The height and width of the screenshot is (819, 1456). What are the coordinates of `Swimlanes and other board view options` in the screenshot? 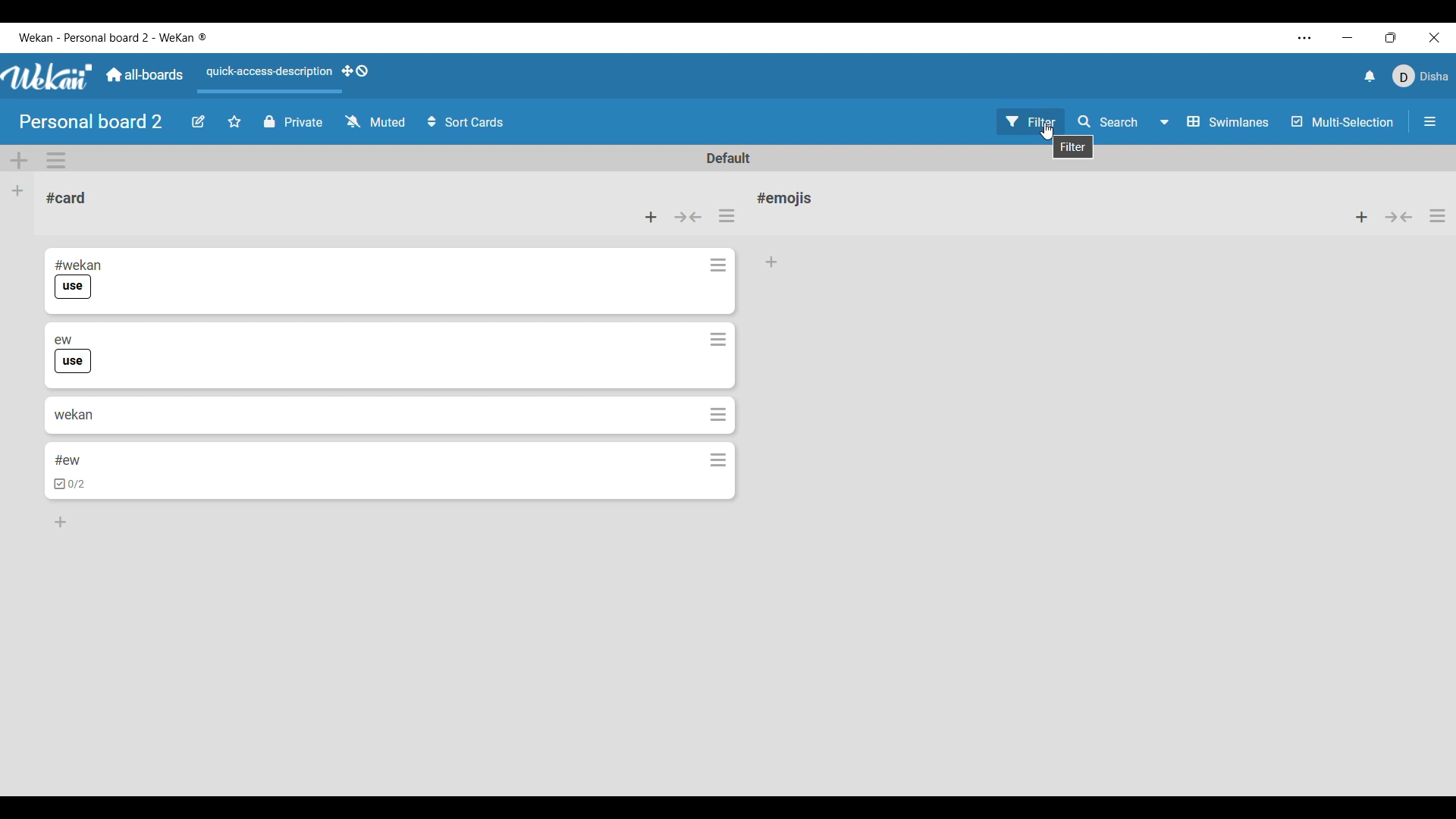 It's located at (1213, 121).